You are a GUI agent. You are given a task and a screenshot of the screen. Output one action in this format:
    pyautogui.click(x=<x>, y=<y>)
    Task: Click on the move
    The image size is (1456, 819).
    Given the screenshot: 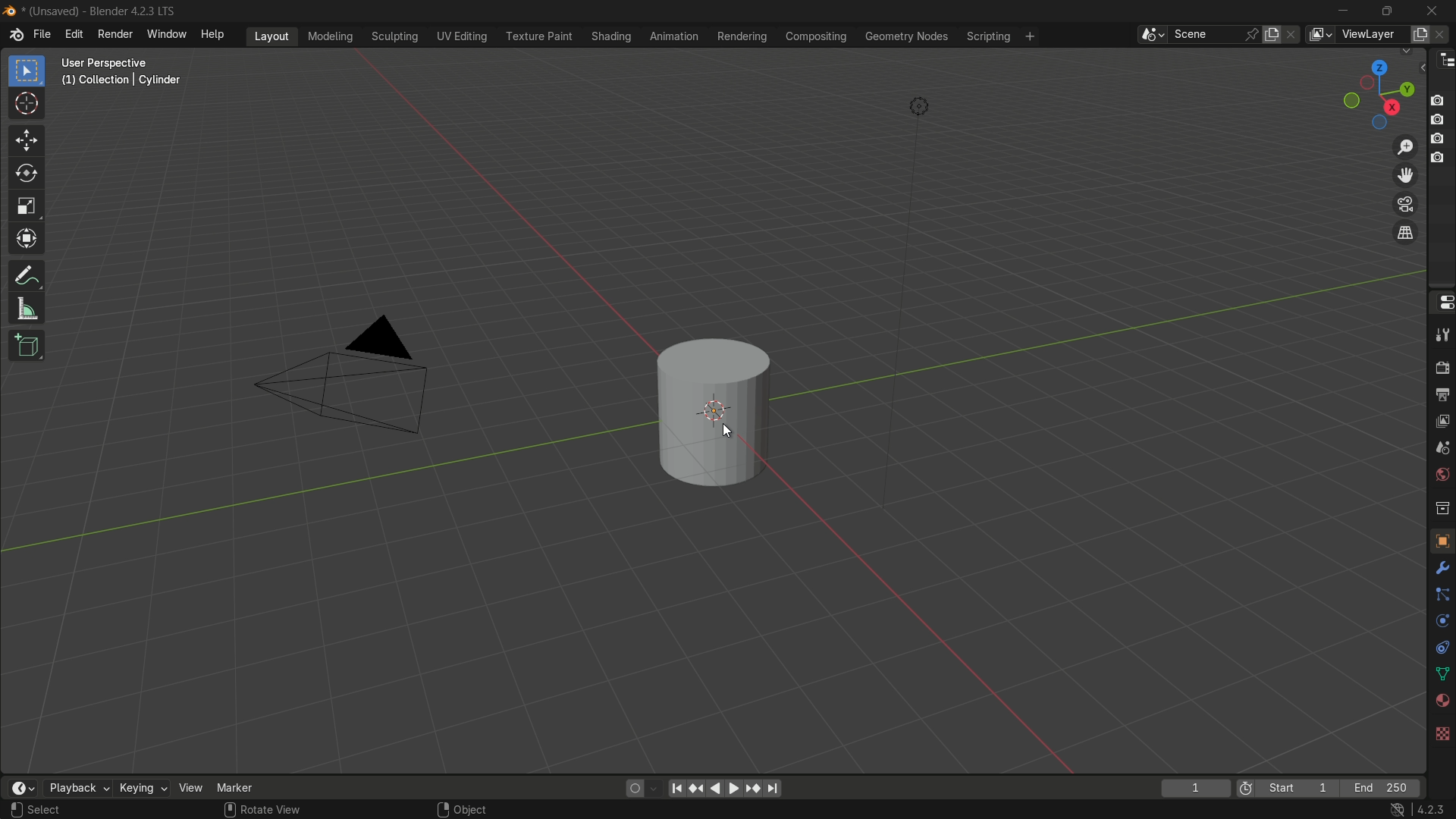 What is the action you would take?
    pyautogui.click(x=28, y=140)
    